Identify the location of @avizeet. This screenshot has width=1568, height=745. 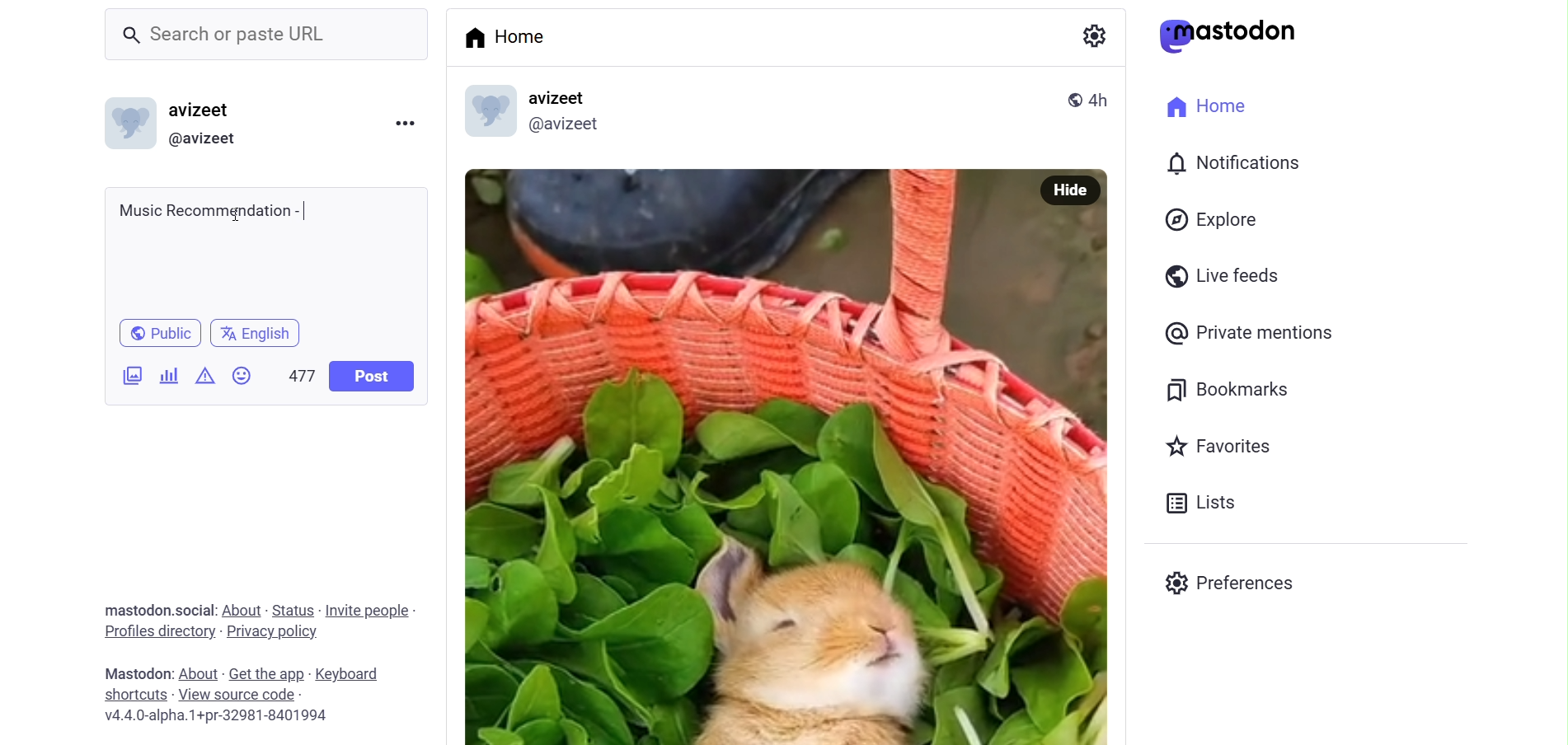
(212, 141).